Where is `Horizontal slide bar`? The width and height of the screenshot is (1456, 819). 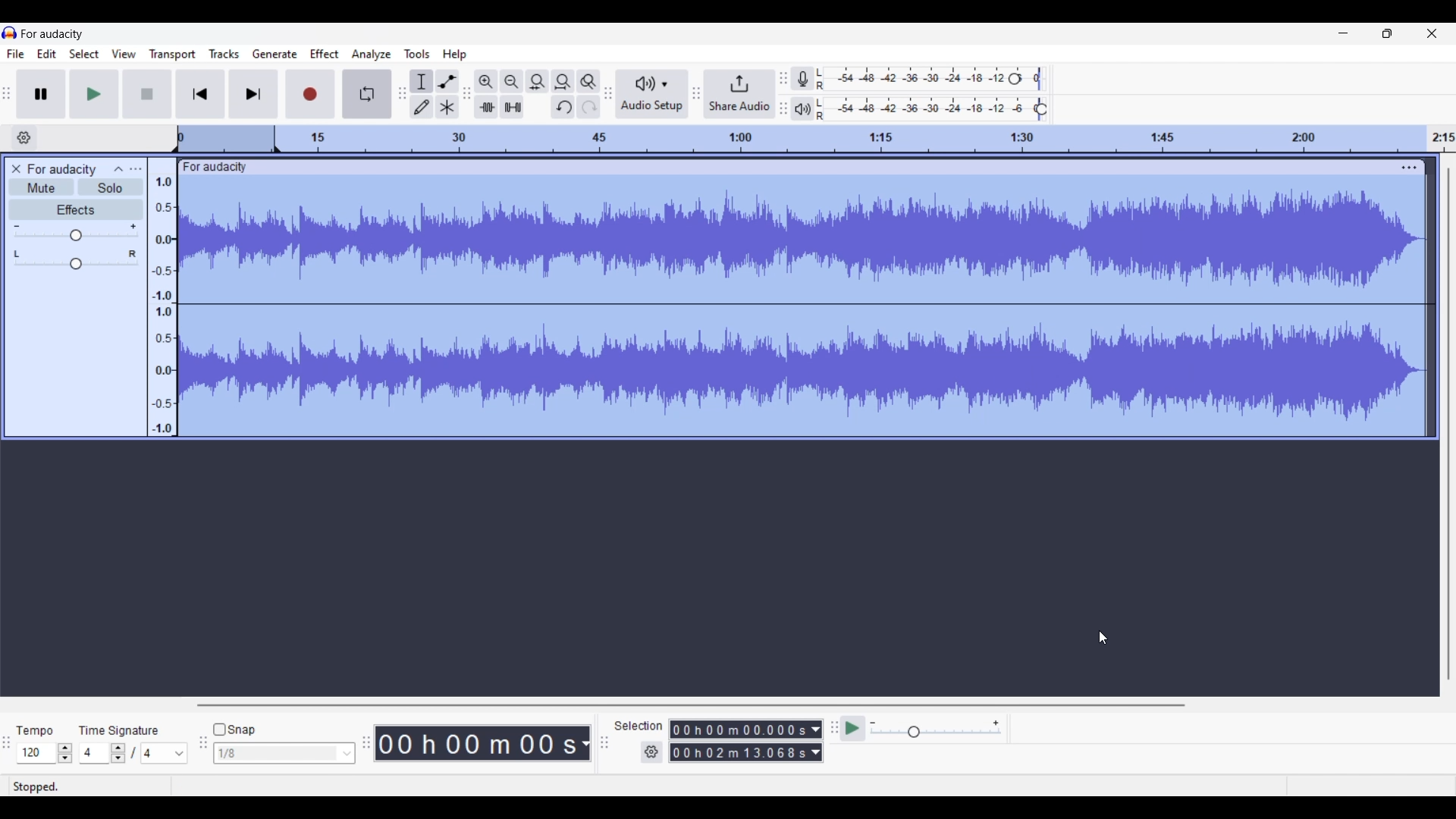 Horizontal slide bar is located at coordinates (691, 705).